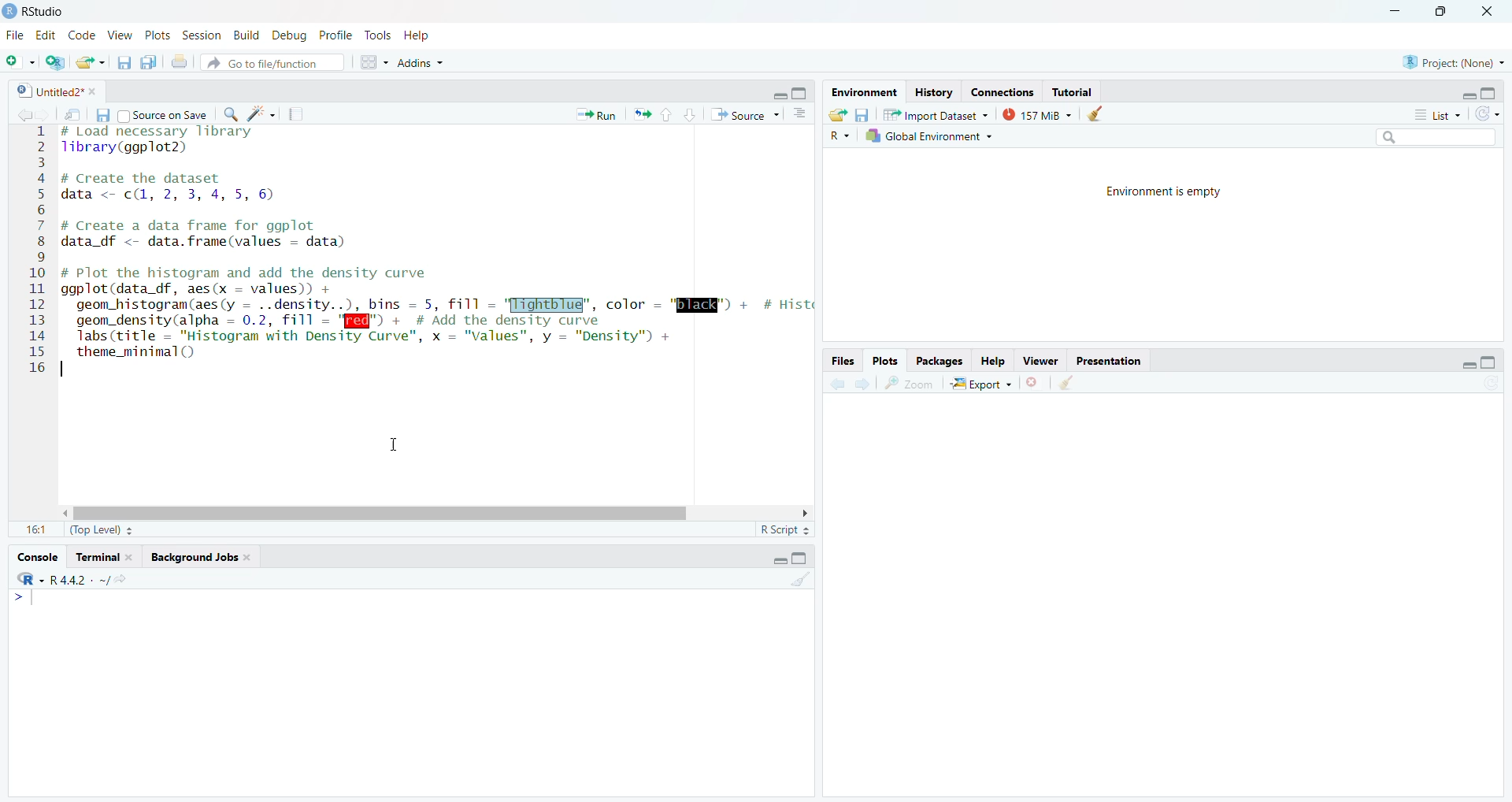 The image size is (1512, 802). Describe the element at coordinates (1487, 12) in the screenshot. I see `close` at that location.